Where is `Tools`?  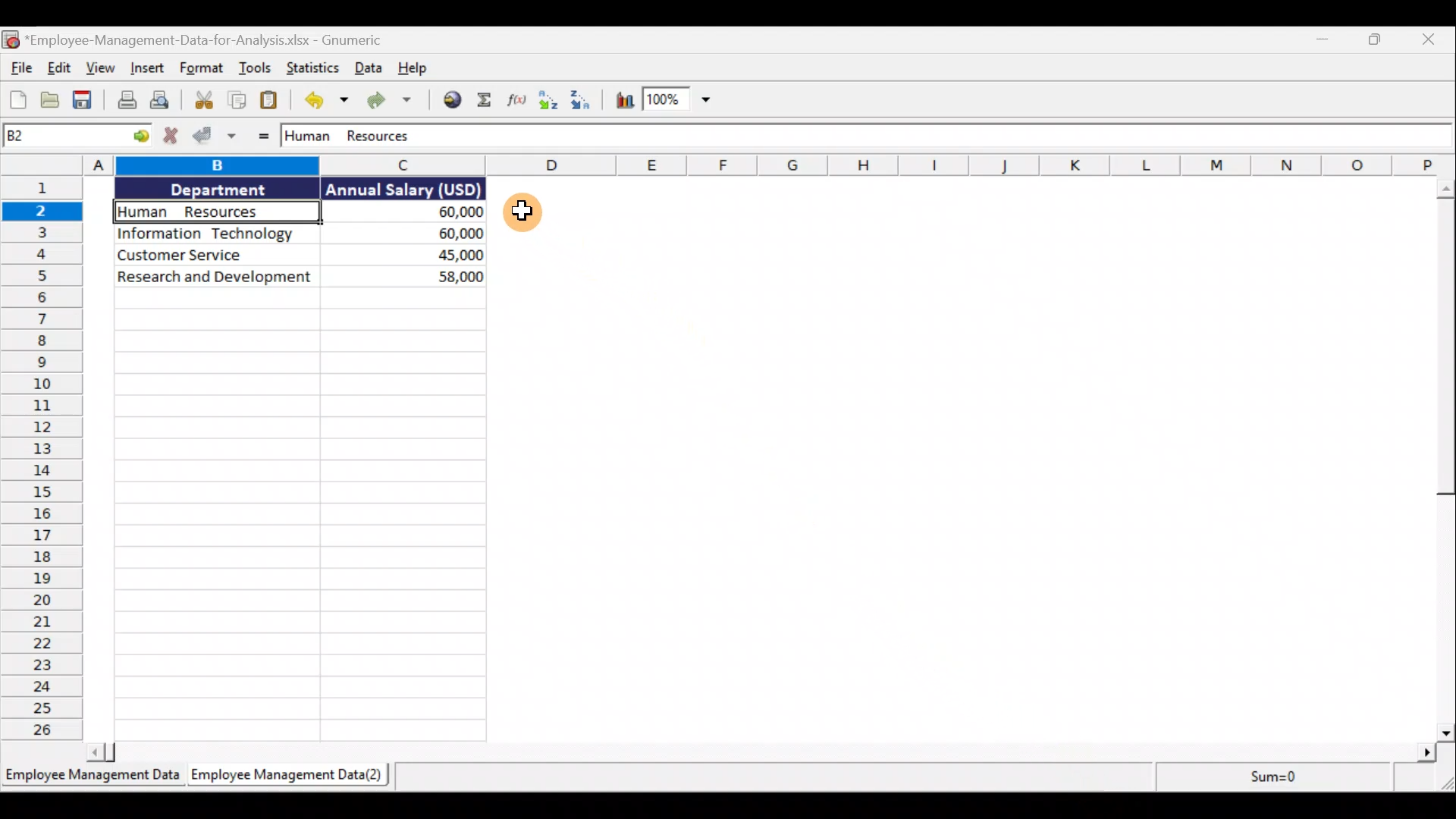 Tools is located at coordinates (258, 68).